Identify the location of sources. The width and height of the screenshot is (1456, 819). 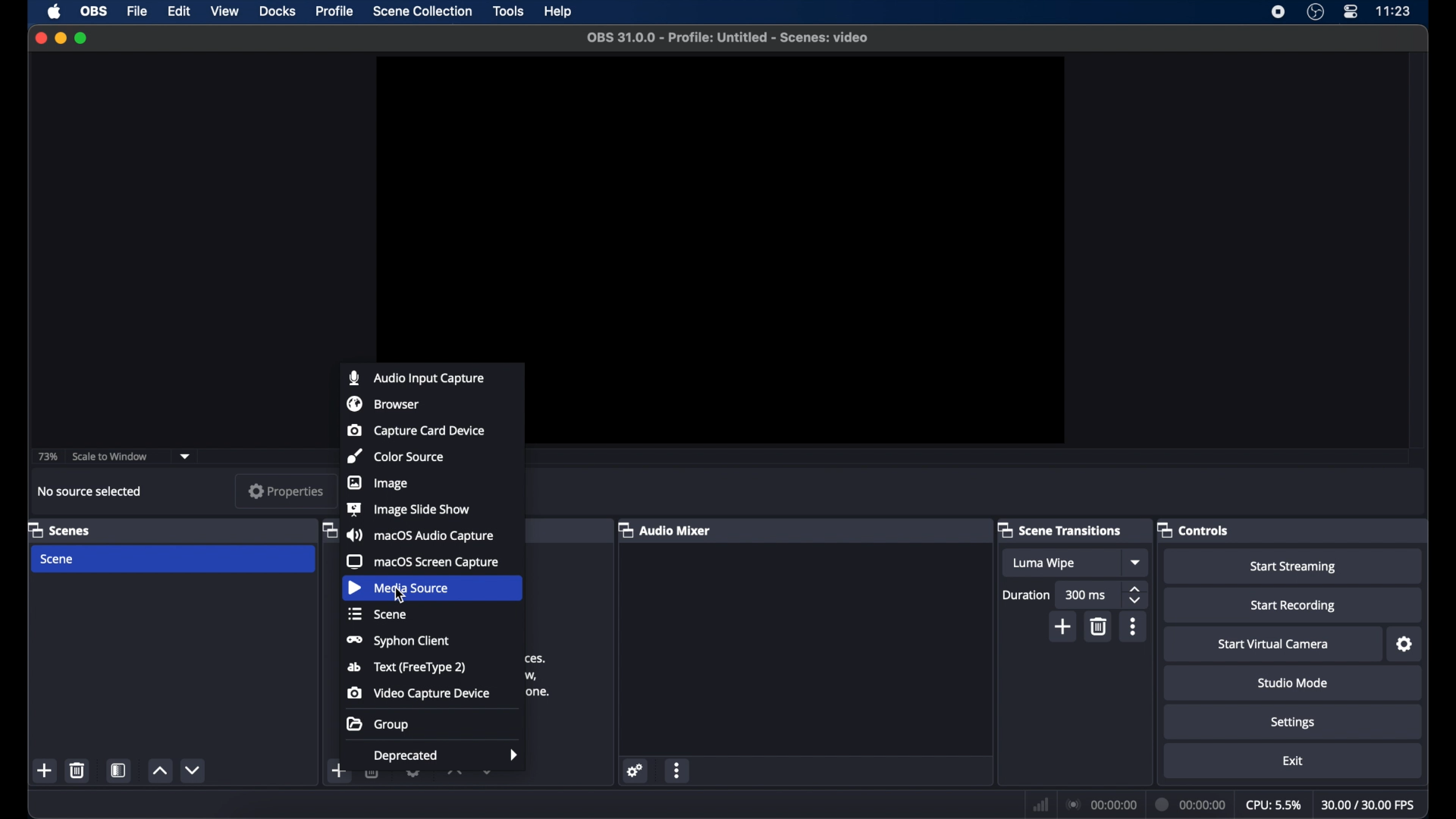
(328, 529).